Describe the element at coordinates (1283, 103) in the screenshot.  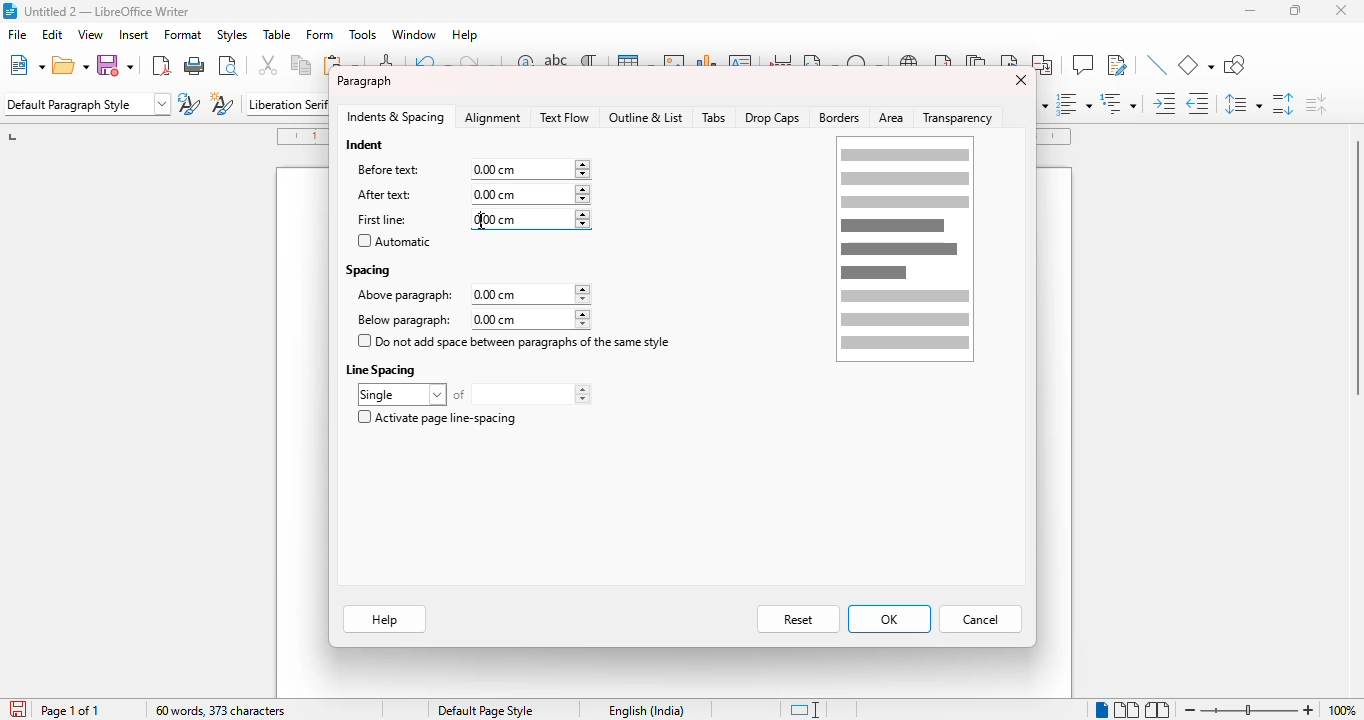
I see `increase paragraph spacing` at that location.